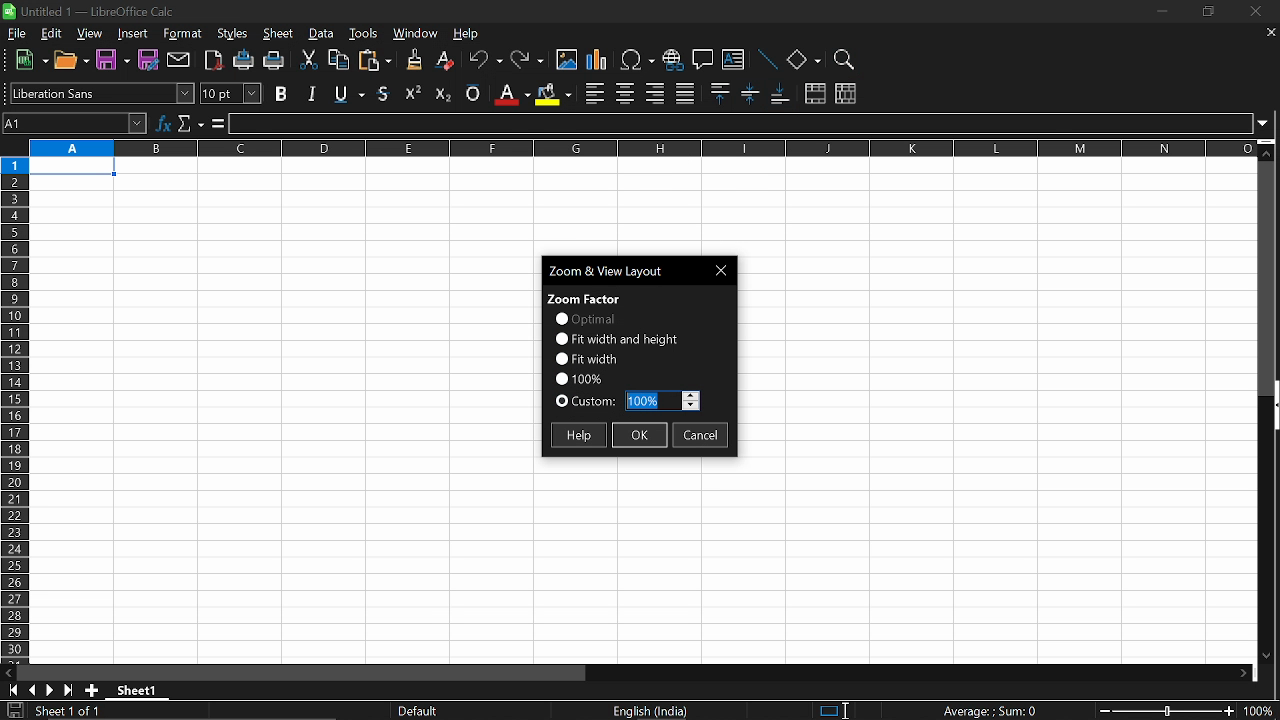 The width and height of the screenshot is (1280, 720). Describe the element at coordinates (182, 35) in the screenshot. I see `format` at that location.